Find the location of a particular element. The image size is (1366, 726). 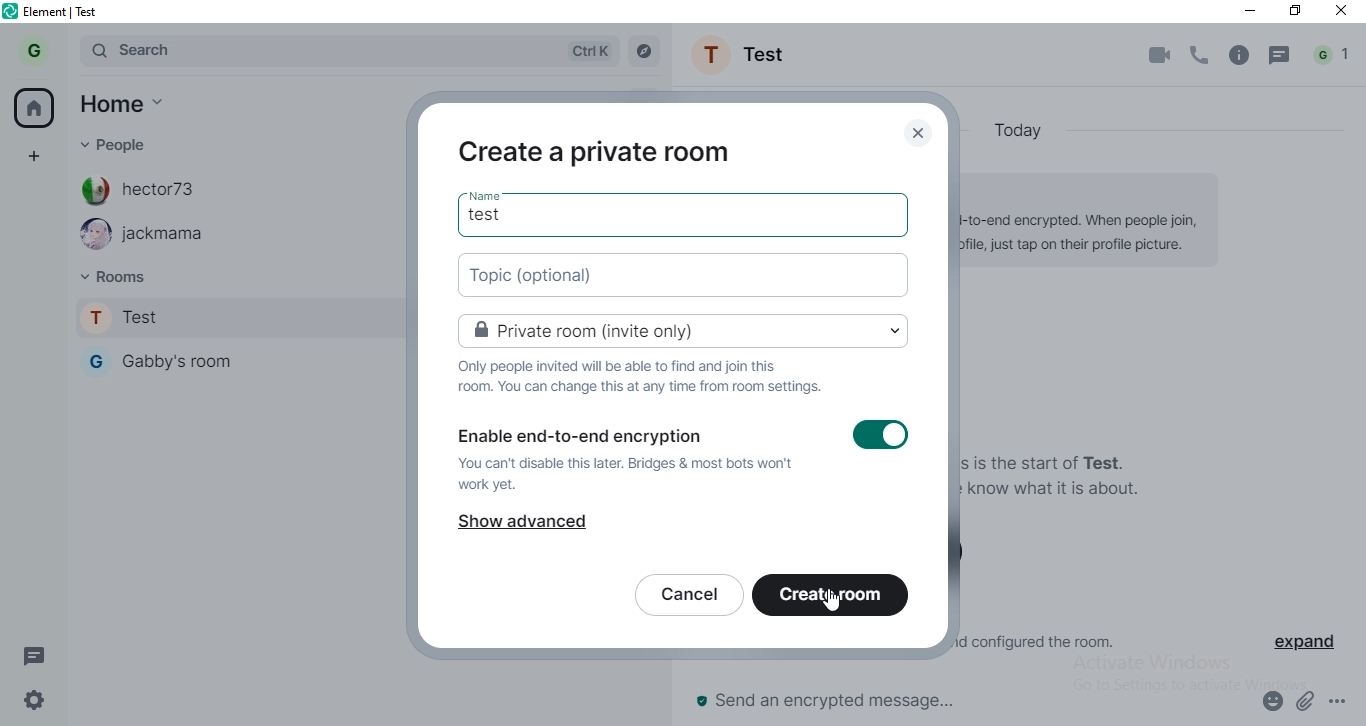

hector73 is located at coordinates (150, 190).